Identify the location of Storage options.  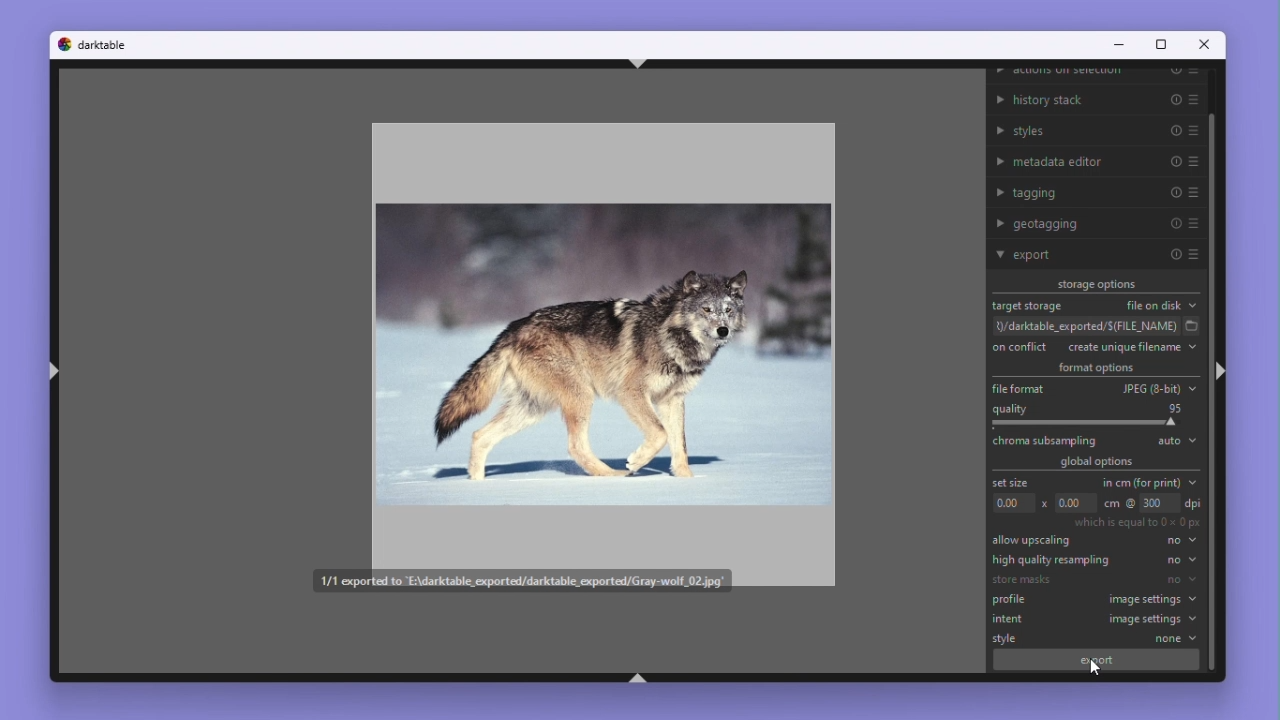
(1094, 285).